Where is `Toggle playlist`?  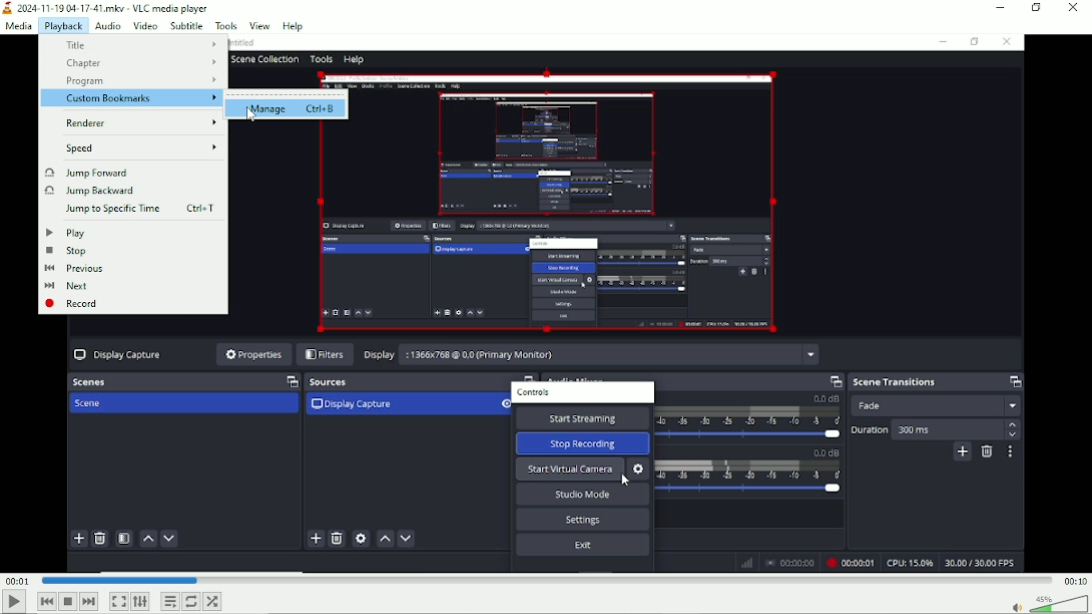 Toggle playlist is located at coordinates (169, 602).